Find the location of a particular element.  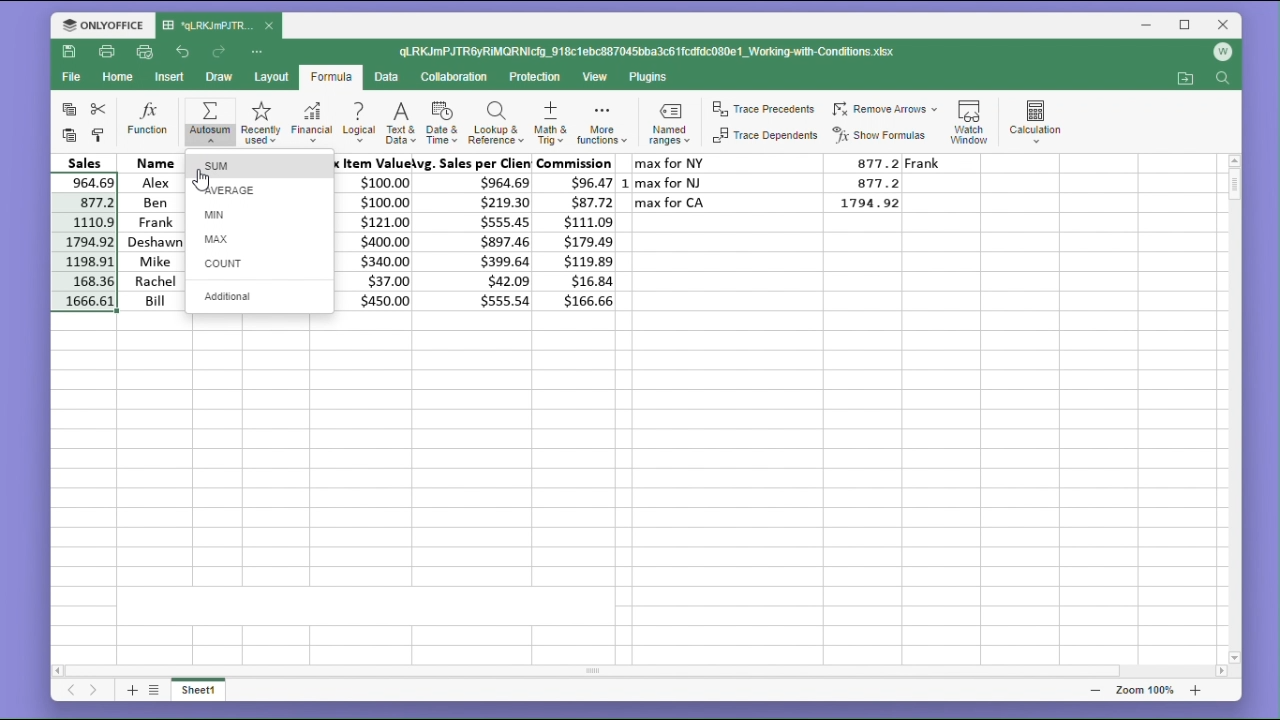

close is located at coordinates (1224, 24).